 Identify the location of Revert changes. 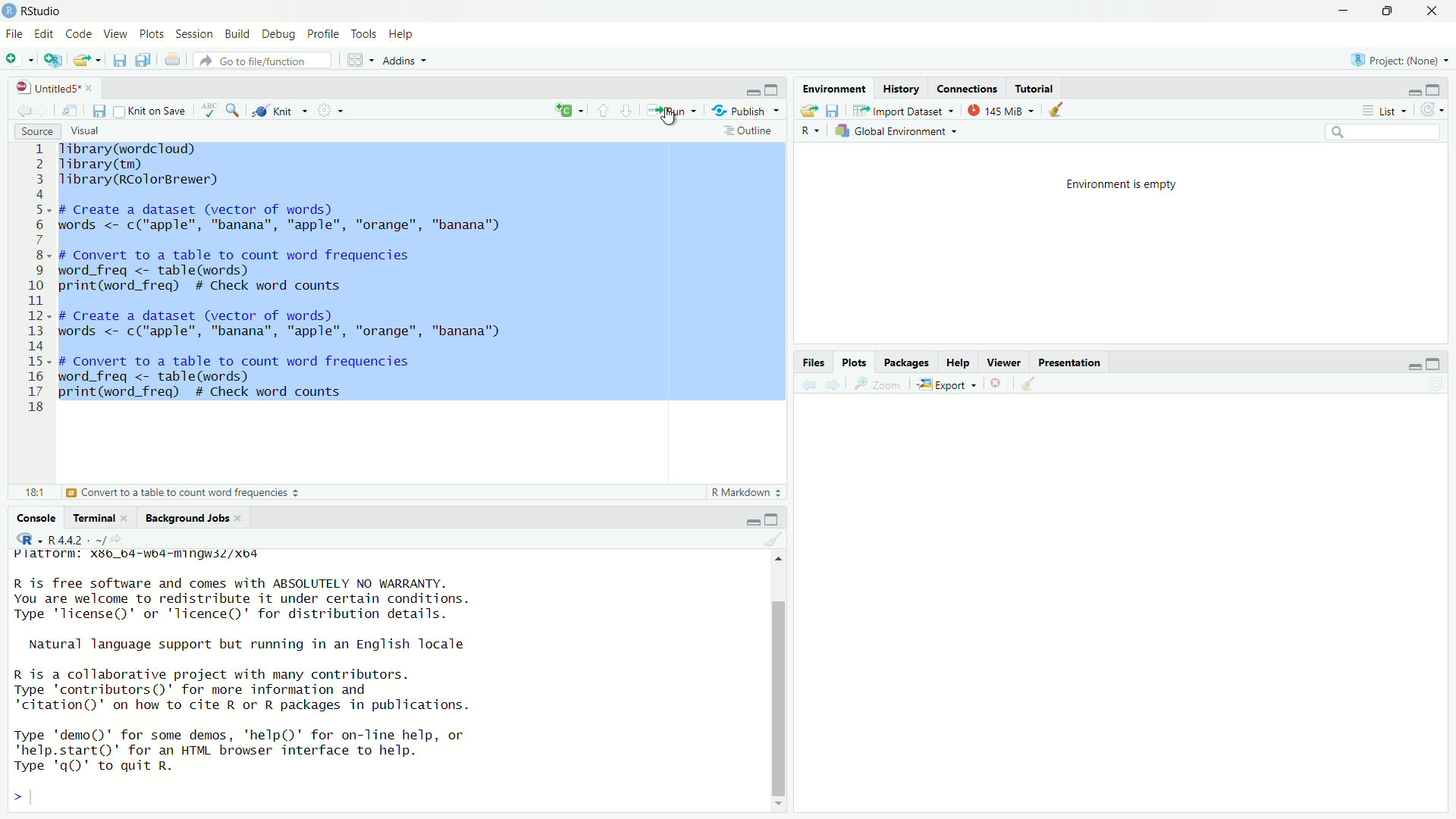
(1430, 110).